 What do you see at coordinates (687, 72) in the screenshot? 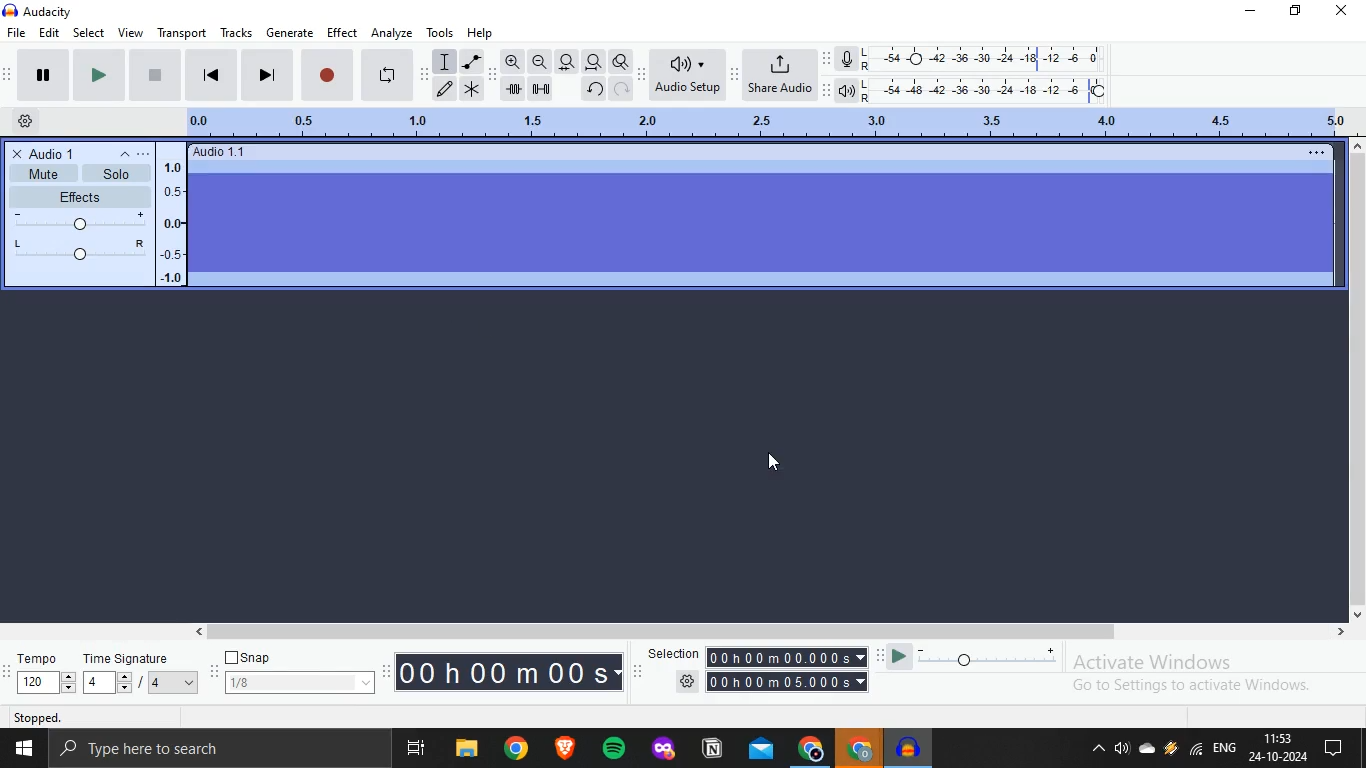
I see `Audio Setup` at bounding box center [687, 72].